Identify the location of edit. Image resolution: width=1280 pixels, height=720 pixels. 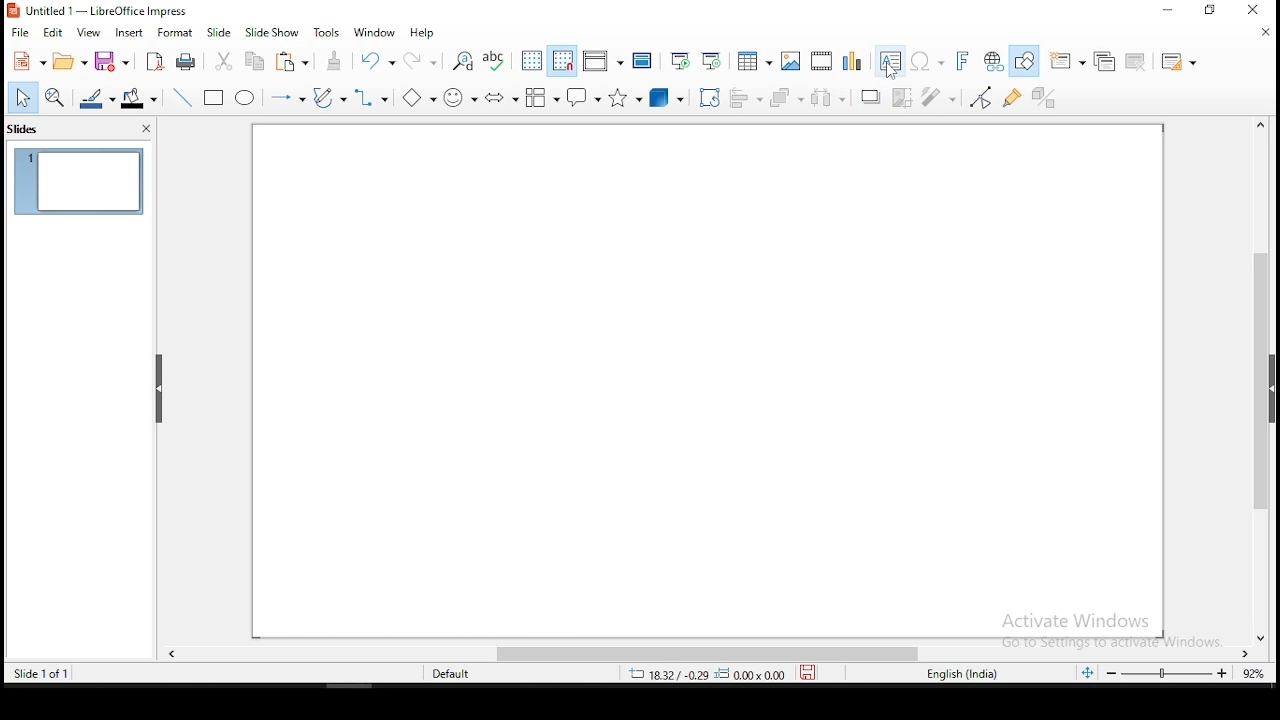
(51, 33).